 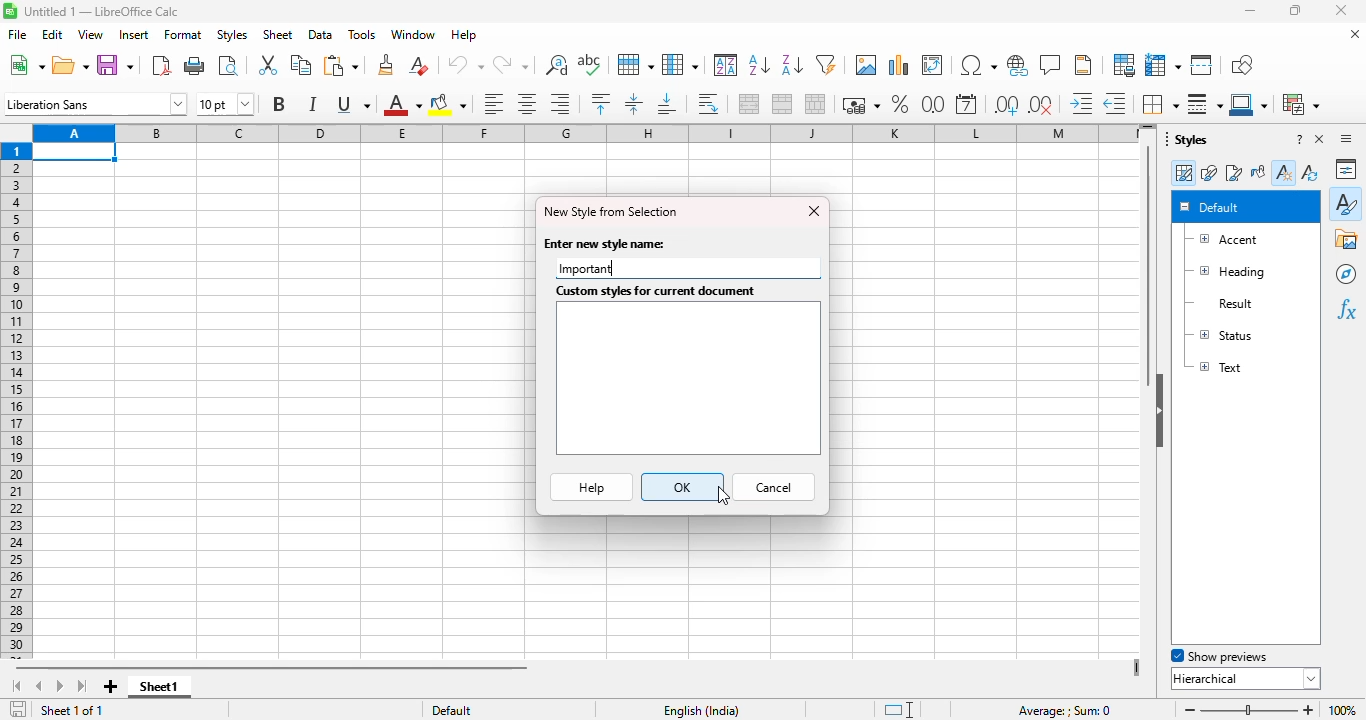 I want to click on cursor, so click(x=723, y=496).